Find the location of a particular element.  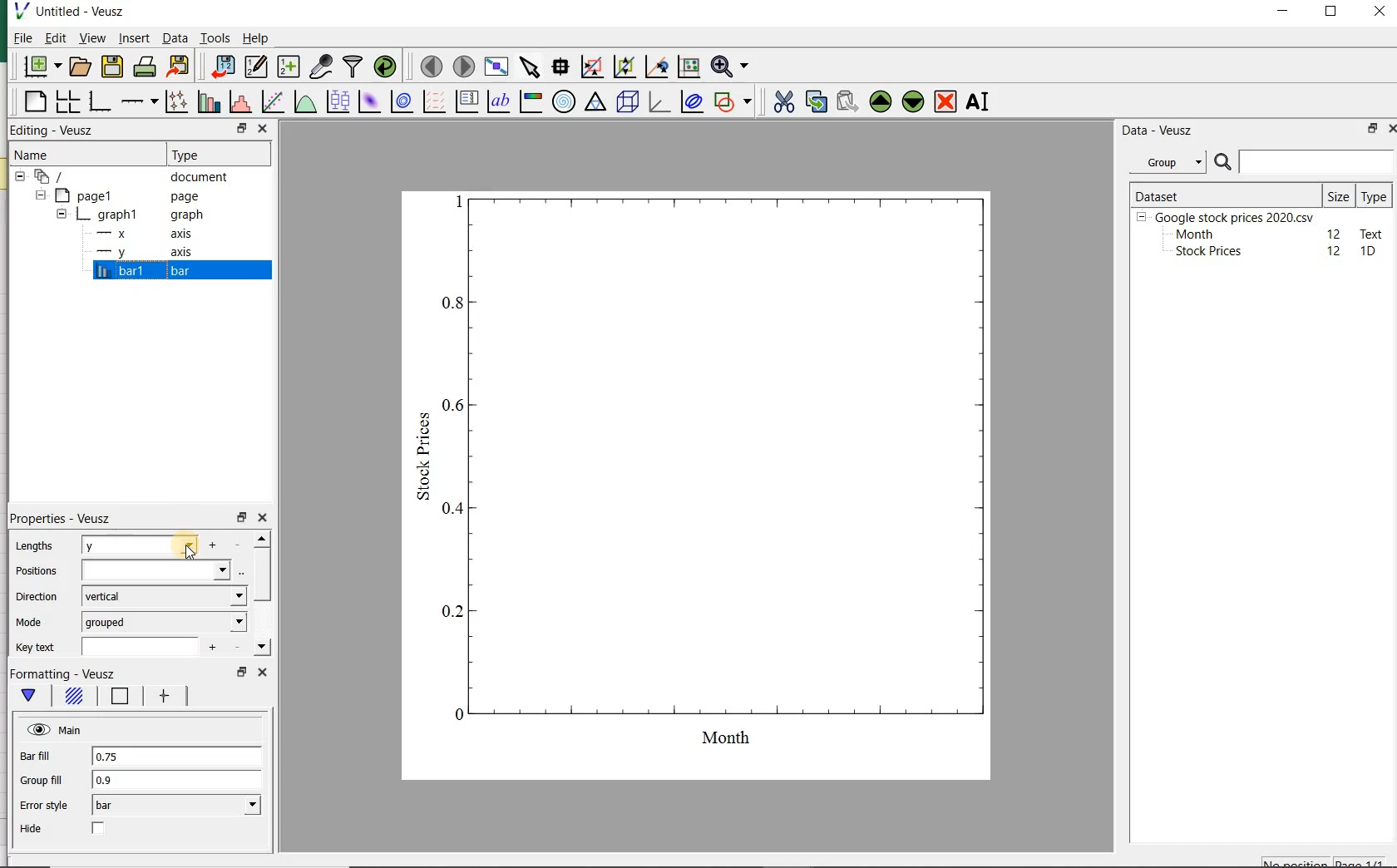

read data points on the graph is located at coordinates (559, 67).